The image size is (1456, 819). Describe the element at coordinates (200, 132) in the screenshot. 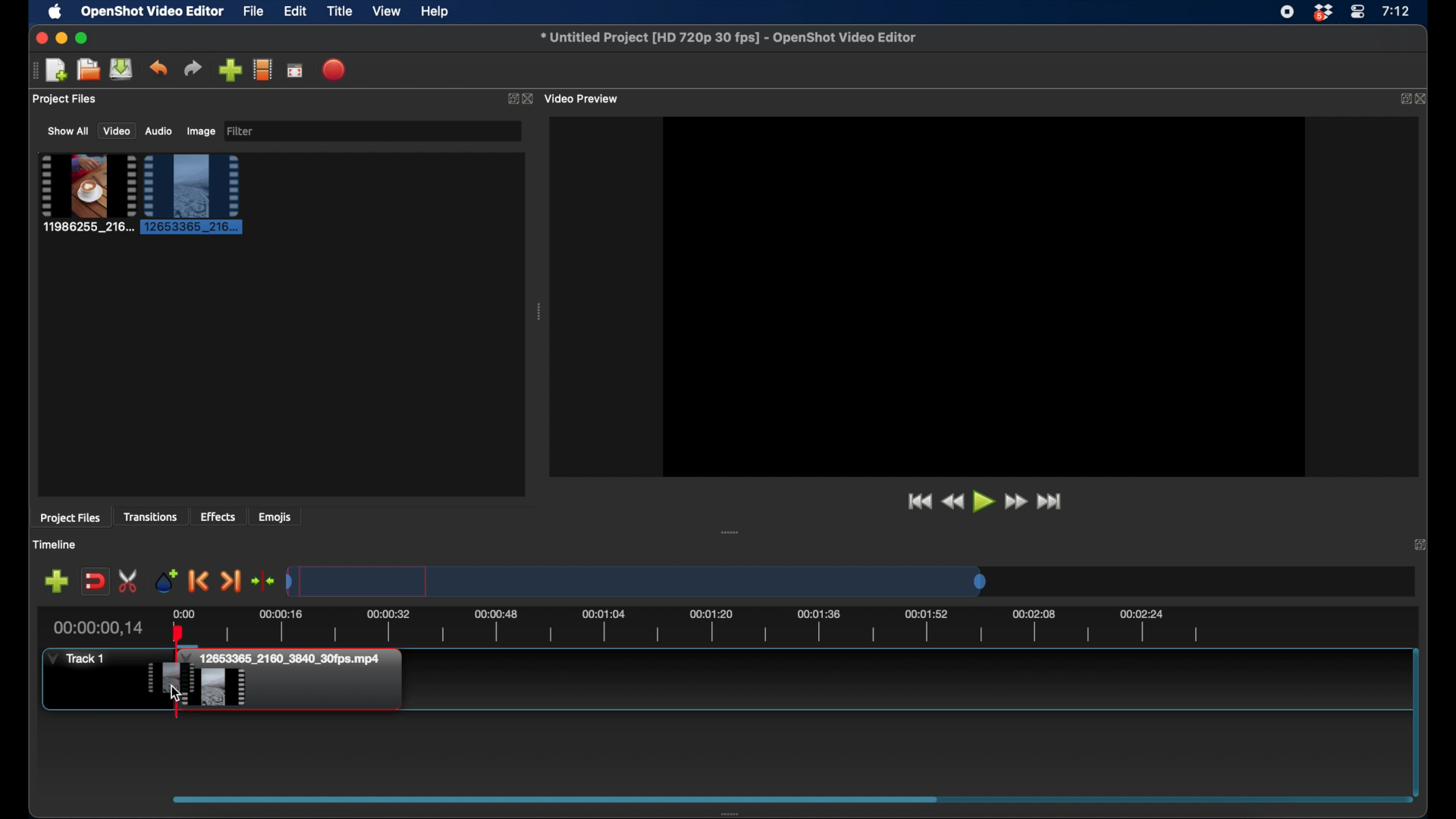

I see `image` at that location.